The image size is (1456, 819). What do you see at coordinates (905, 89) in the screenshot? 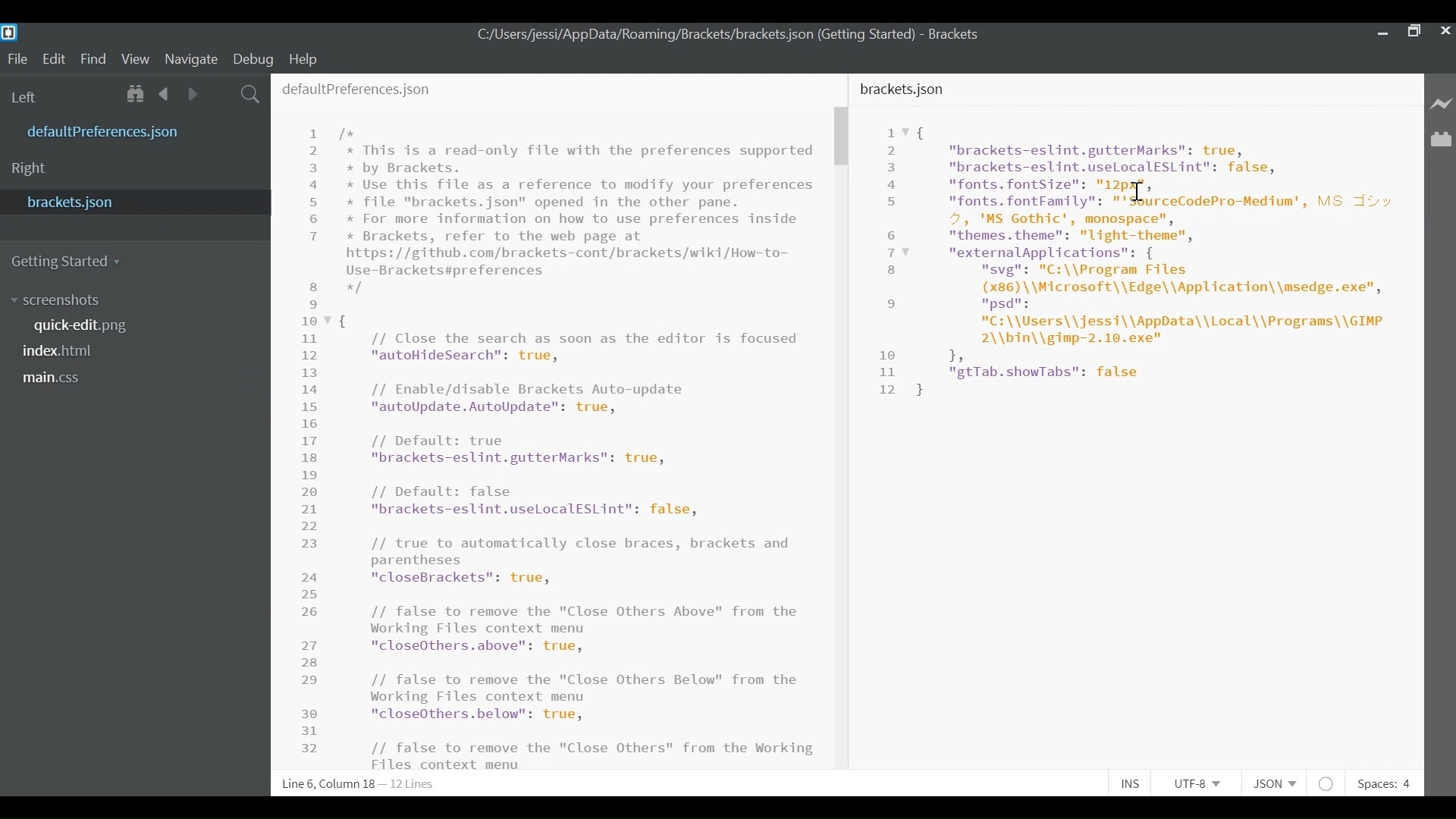
I see `bracket.json` at bounding box center [905, 89].